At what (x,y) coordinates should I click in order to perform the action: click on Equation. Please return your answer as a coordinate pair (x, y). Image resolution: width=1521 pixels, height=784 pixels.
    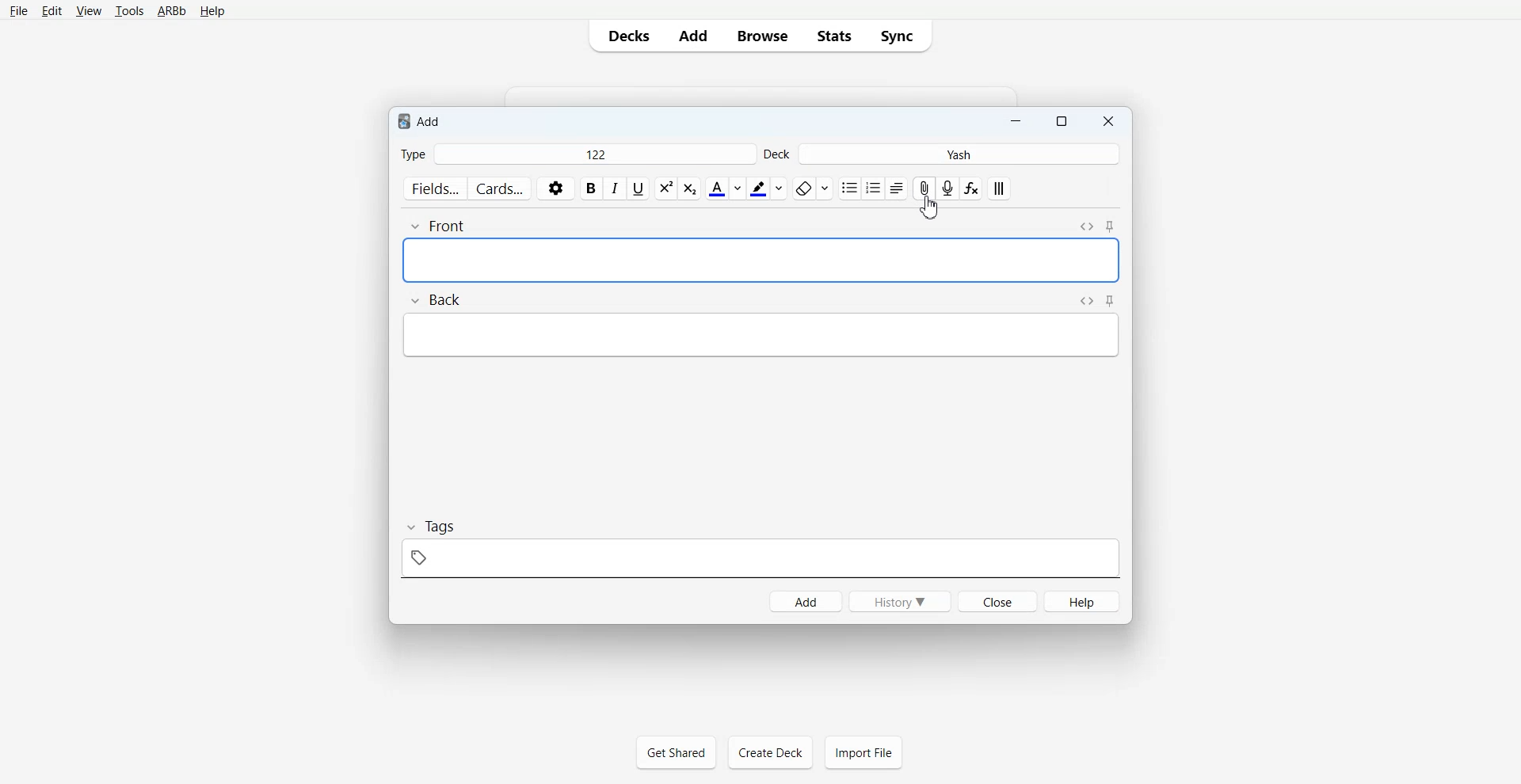
    Looking at the image, I should click on (972, 188).